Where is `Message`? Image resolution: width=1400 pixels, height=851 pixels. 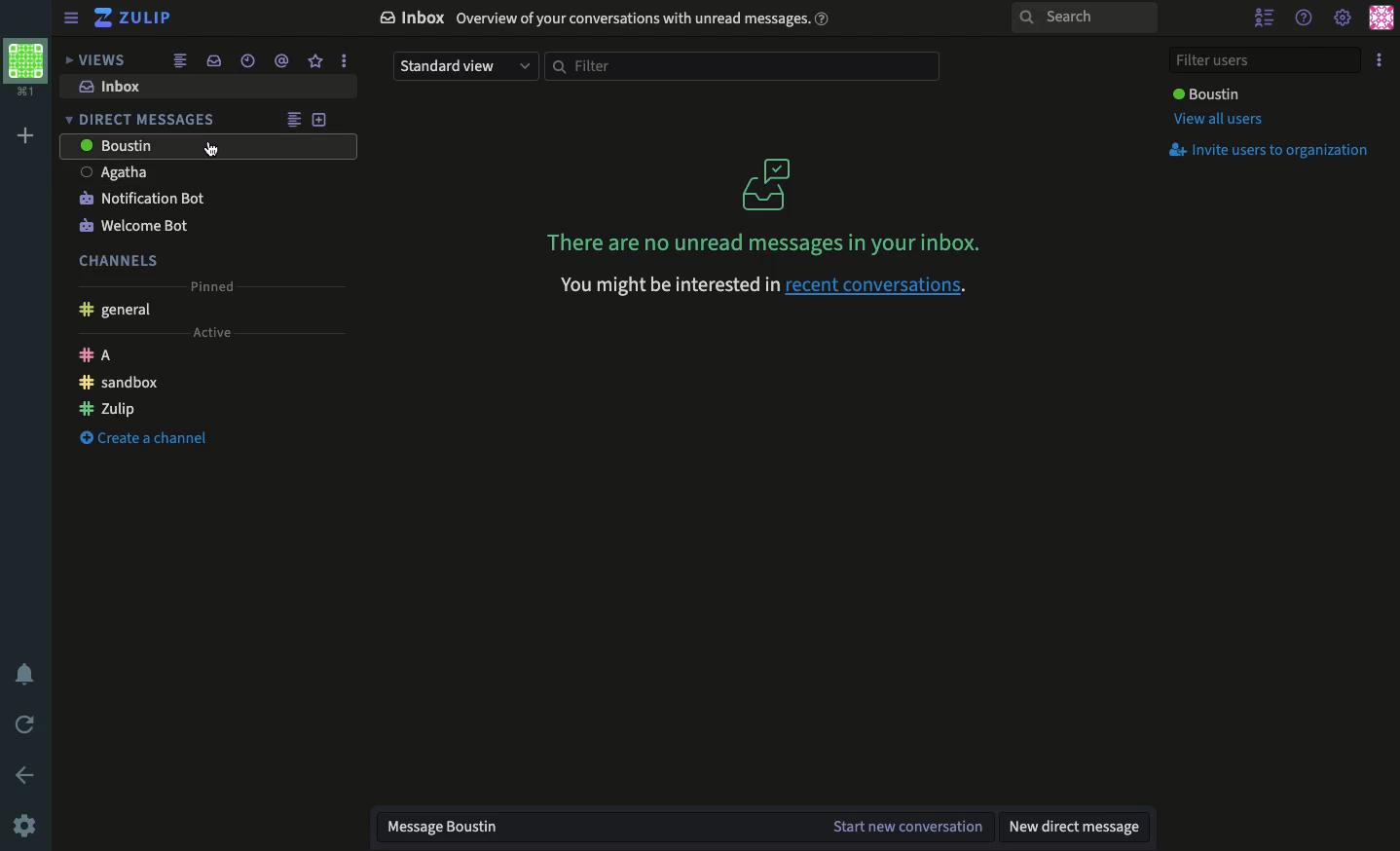
Message is located at coordinates (686, 827).